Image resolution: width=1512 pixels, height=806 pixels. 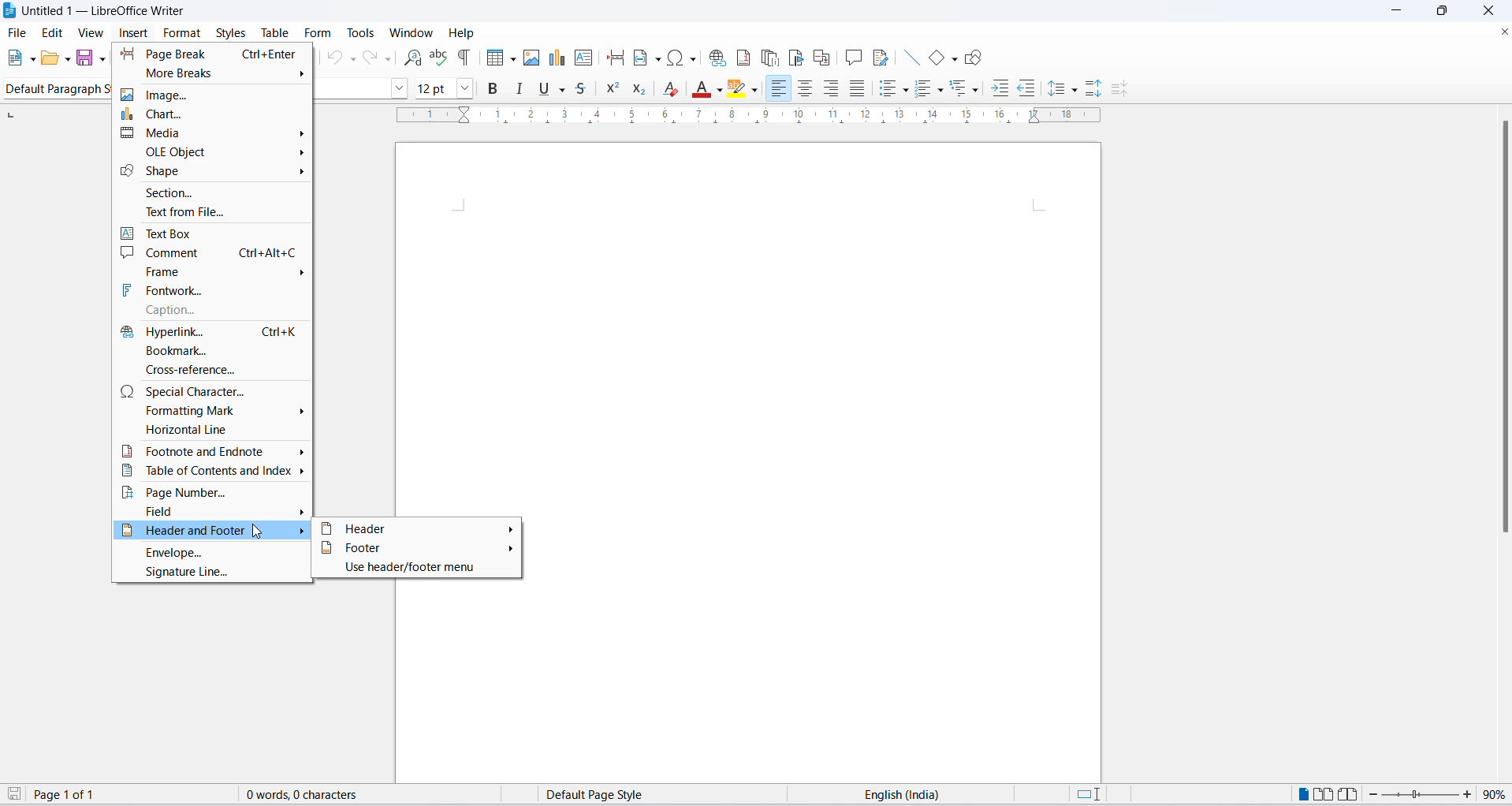 I want to click on table of content and index, so click(x=210, y=472).